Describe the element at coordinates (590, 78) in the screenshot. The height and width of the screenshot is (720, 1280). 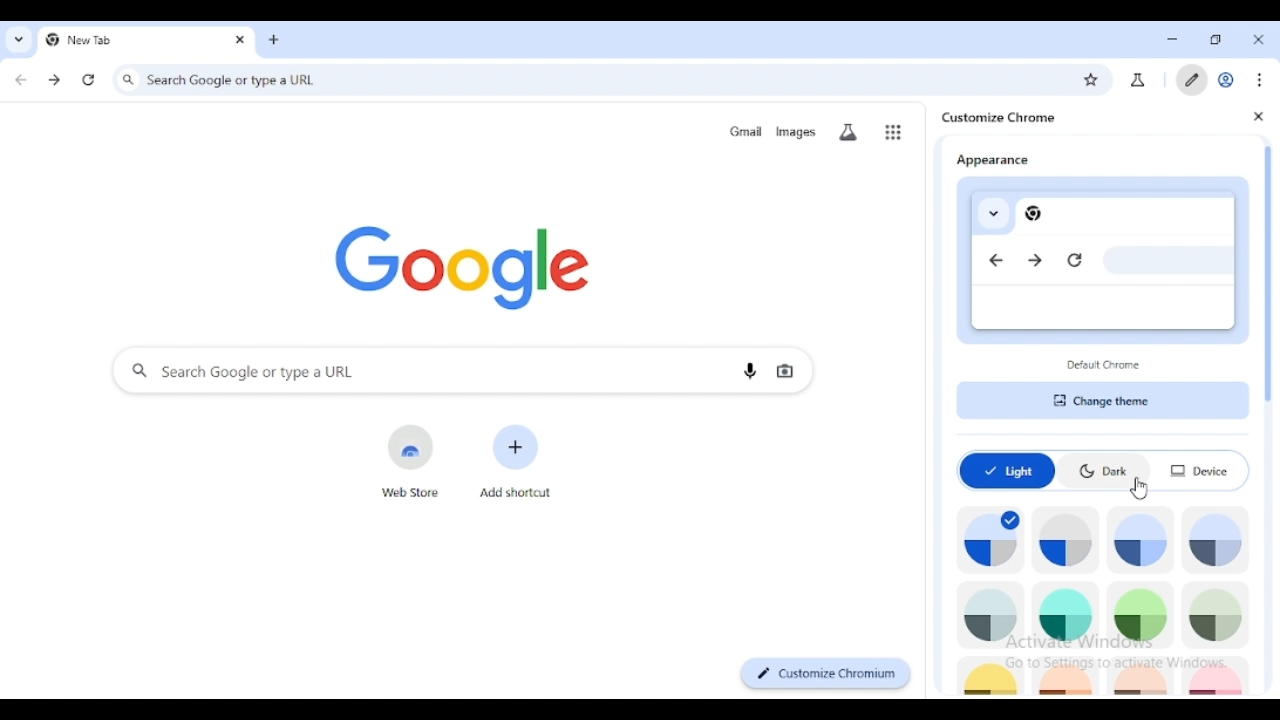
I see `search google or type a URL` at that location.